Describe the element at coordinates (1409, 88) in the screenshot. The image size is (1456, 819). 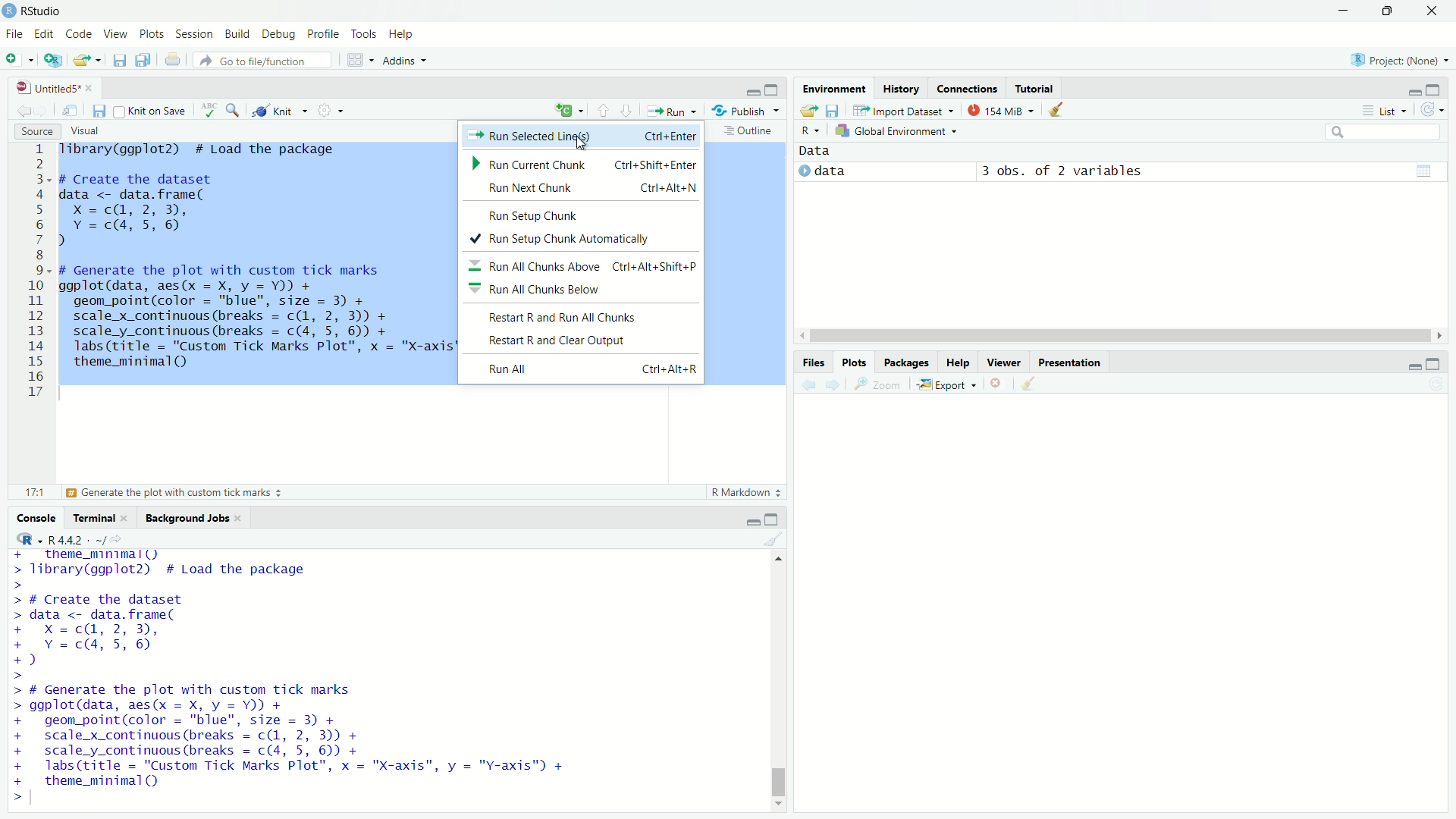
I see `minimize` at that location.